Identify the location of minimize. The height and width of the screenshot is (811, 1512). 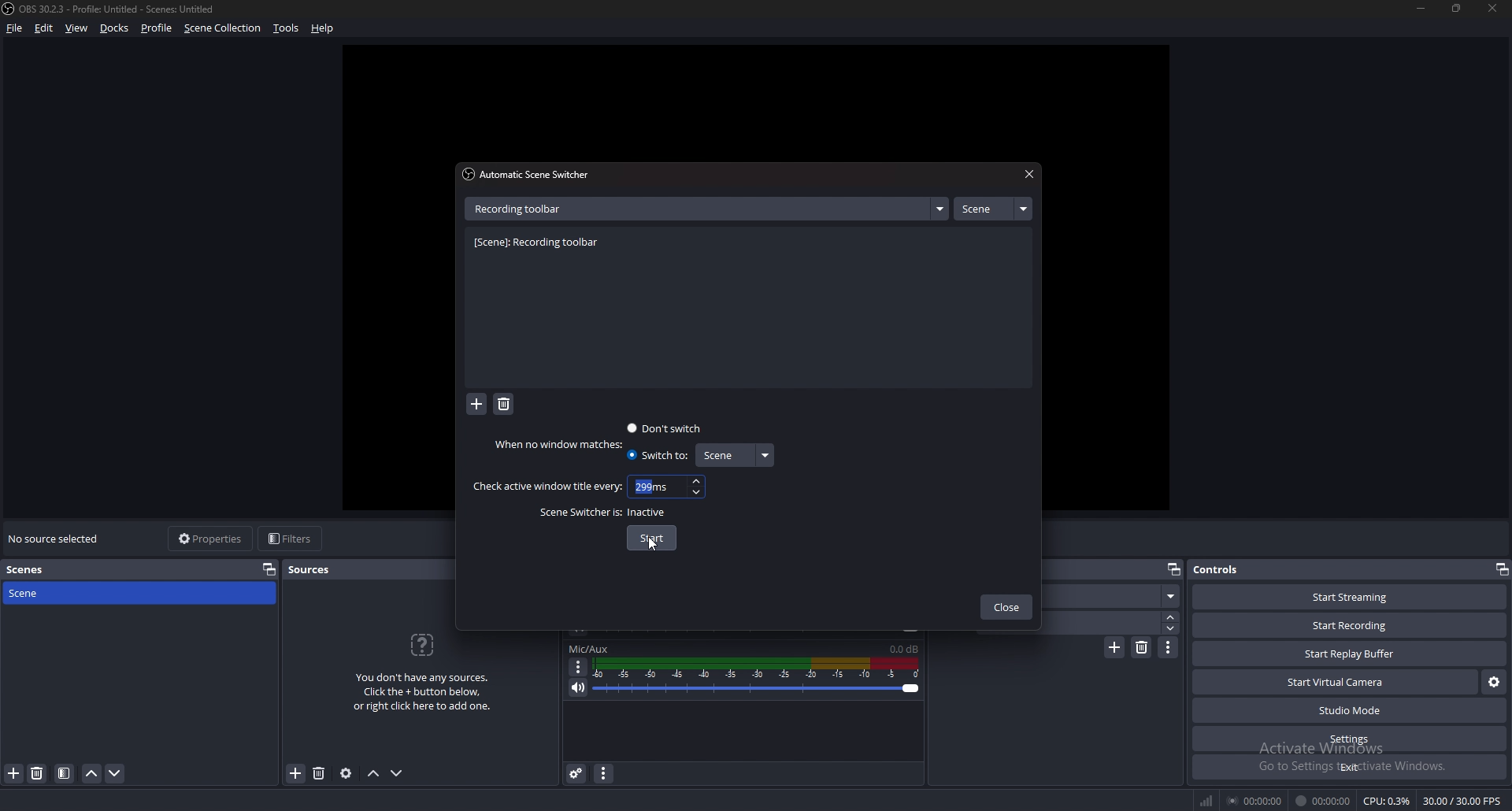
(1421, 8).